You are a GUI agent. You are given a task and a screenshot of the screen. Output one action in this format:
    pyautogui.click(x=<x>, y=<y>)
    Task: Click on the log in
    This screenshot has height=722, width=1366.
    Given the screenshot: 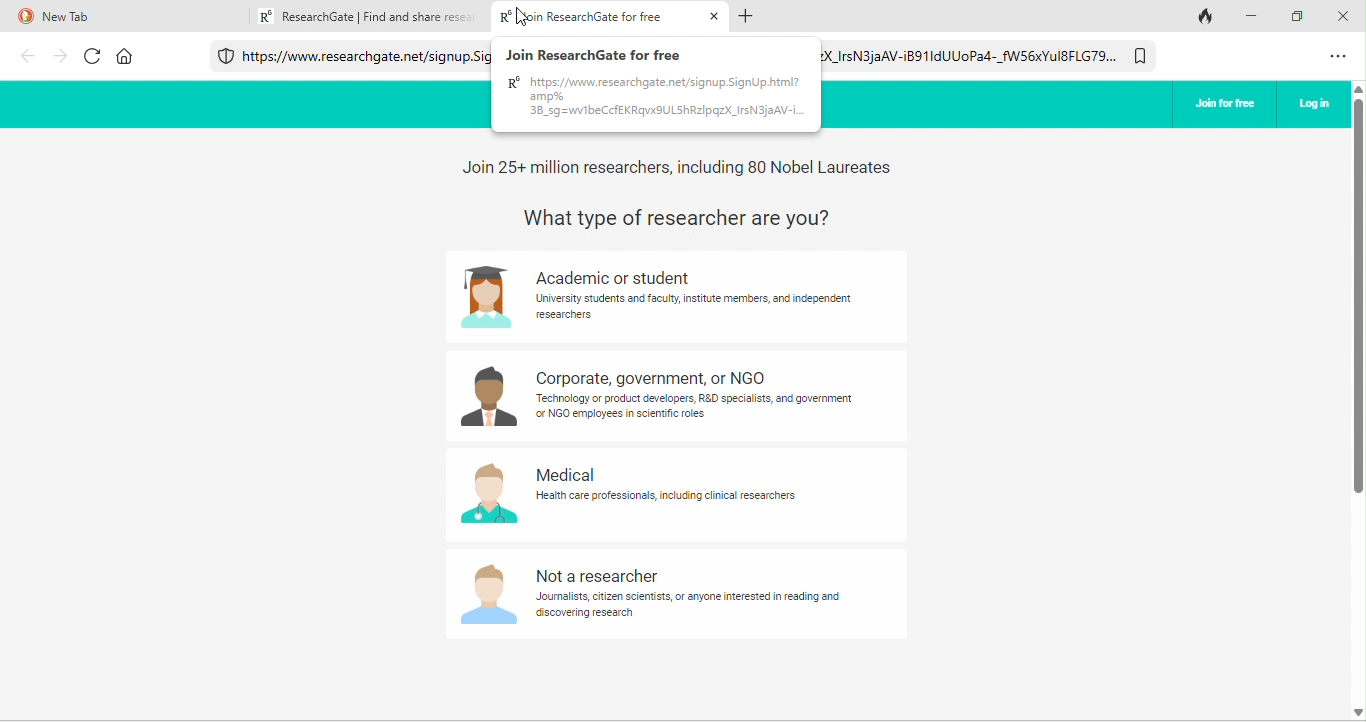 What is the action you would take?
    pyautogui.click(x=1314, y=104)
    